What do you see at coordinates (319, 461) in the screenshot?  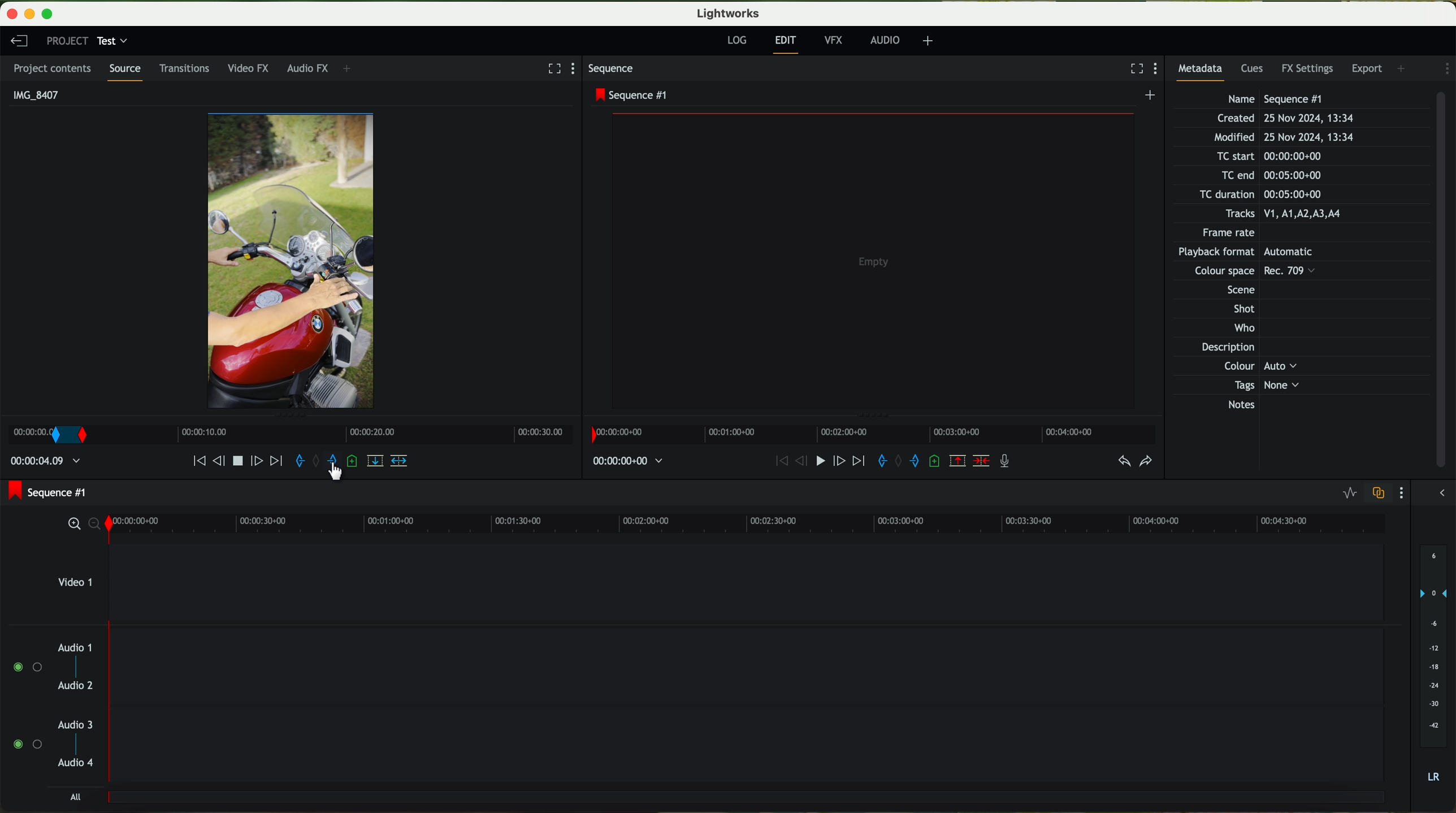 I see `clear marks` at bounding box center [319, 461].